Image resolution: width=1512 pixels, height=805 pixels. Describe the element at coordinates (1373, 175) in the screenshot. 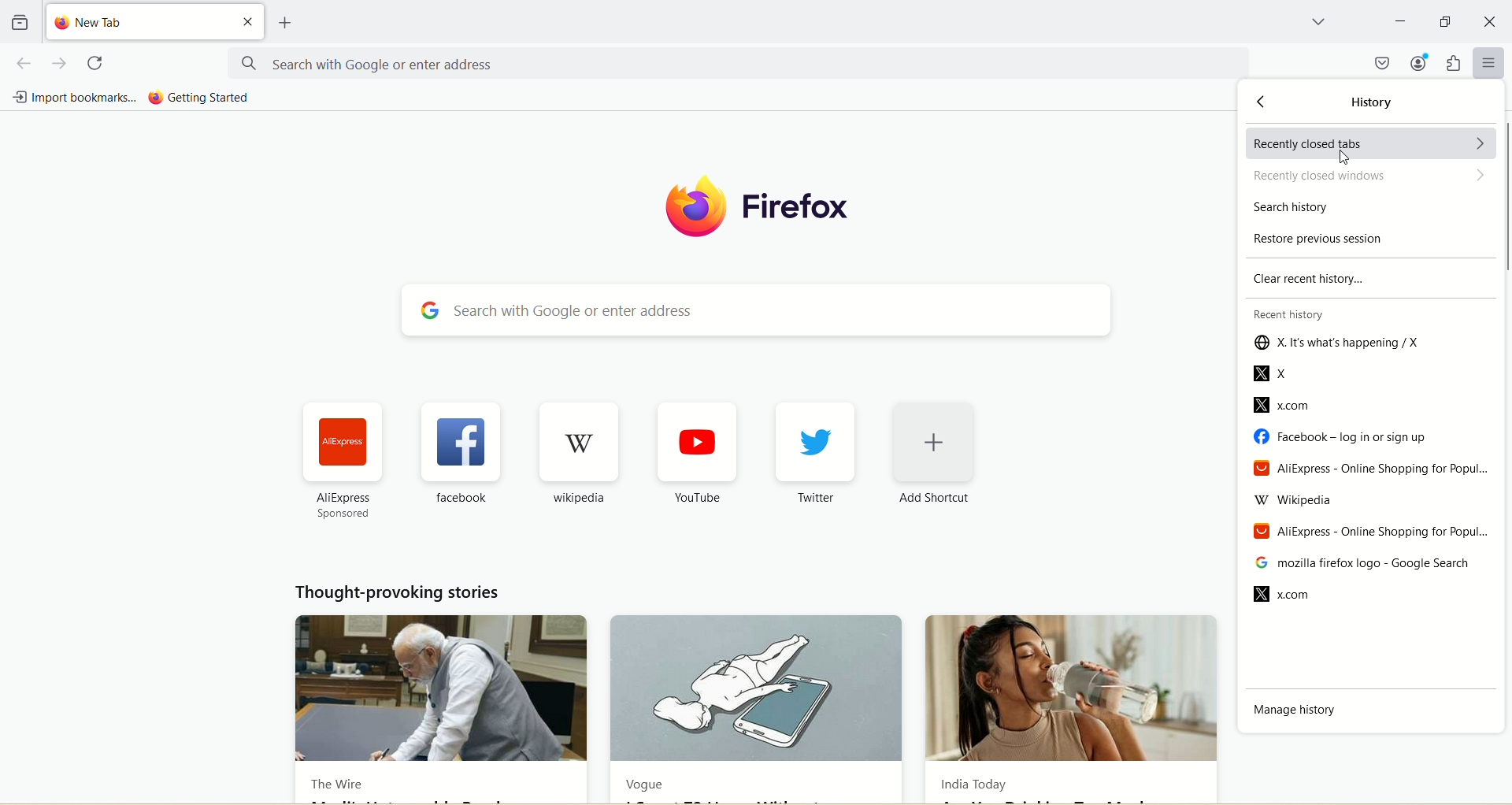

I see `recently closed windows` at that location.